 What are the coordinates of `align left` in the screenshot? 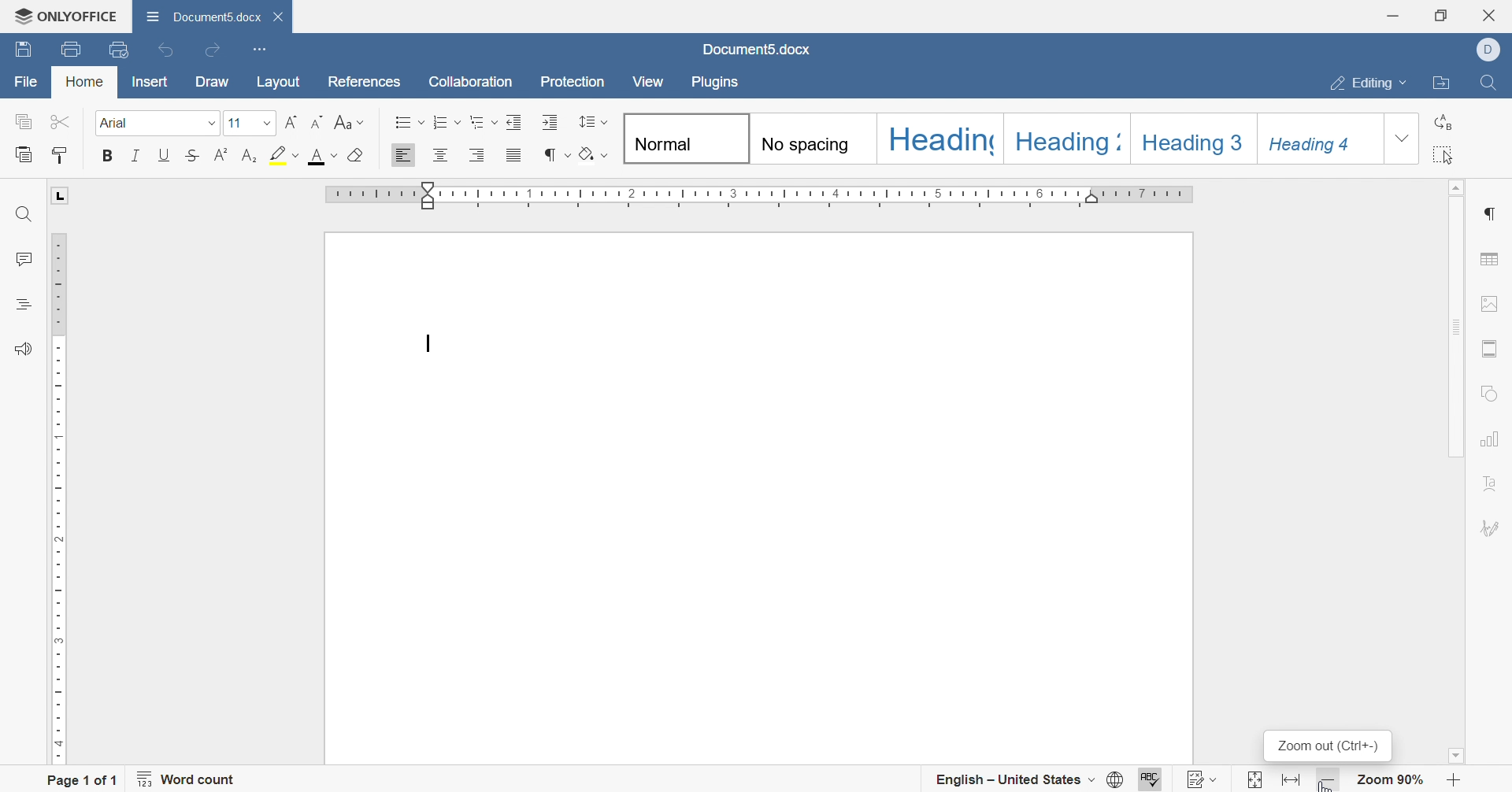 It's located at (403, 155).